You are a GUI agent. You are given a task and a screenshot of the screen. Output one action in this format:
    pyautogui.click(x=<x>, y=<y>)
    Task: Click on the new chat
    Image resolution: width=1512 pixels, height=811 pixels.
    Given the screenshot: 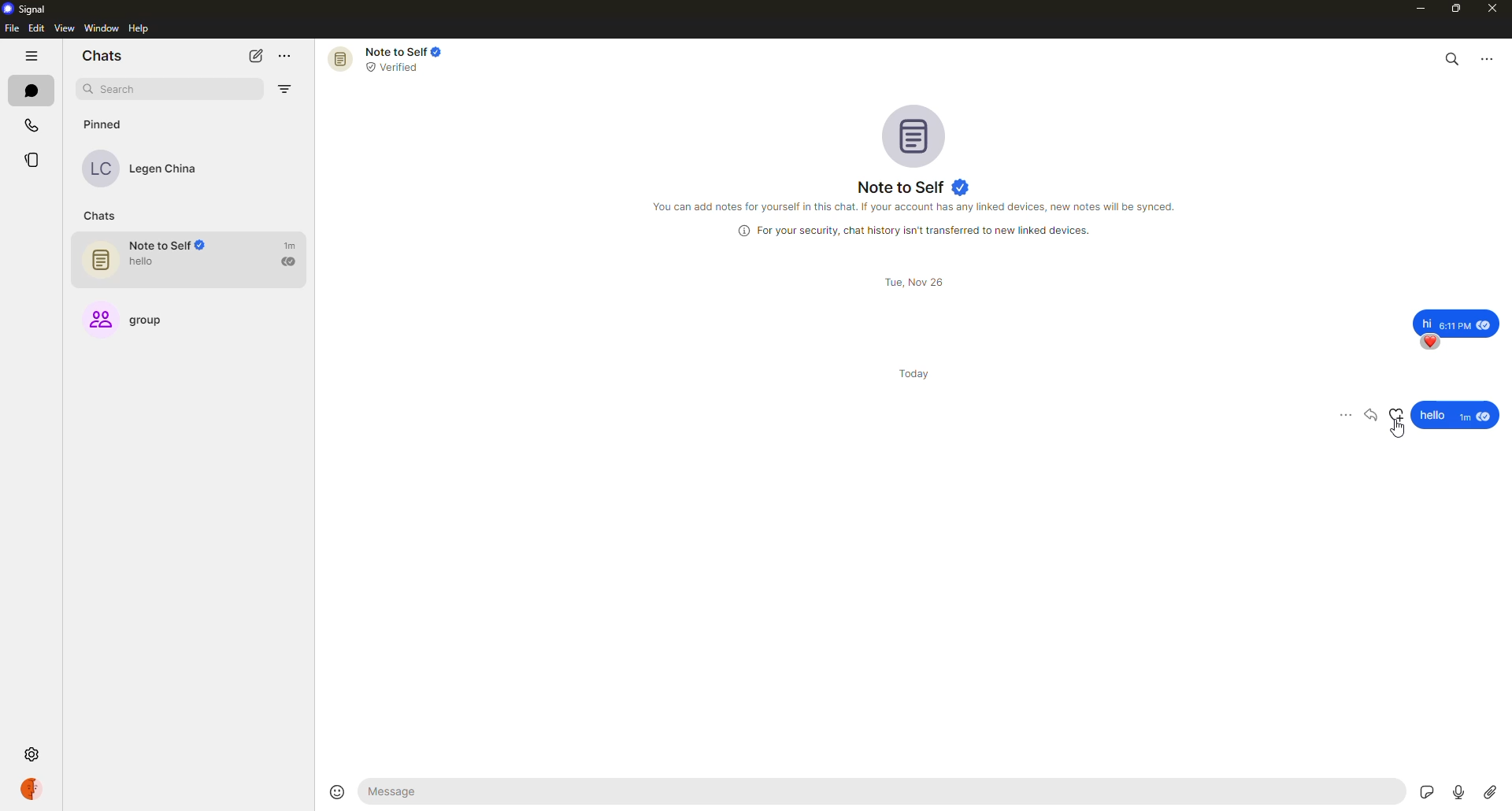 What is the action you would take?
    pyautogui.click(x=255, y=56)
    